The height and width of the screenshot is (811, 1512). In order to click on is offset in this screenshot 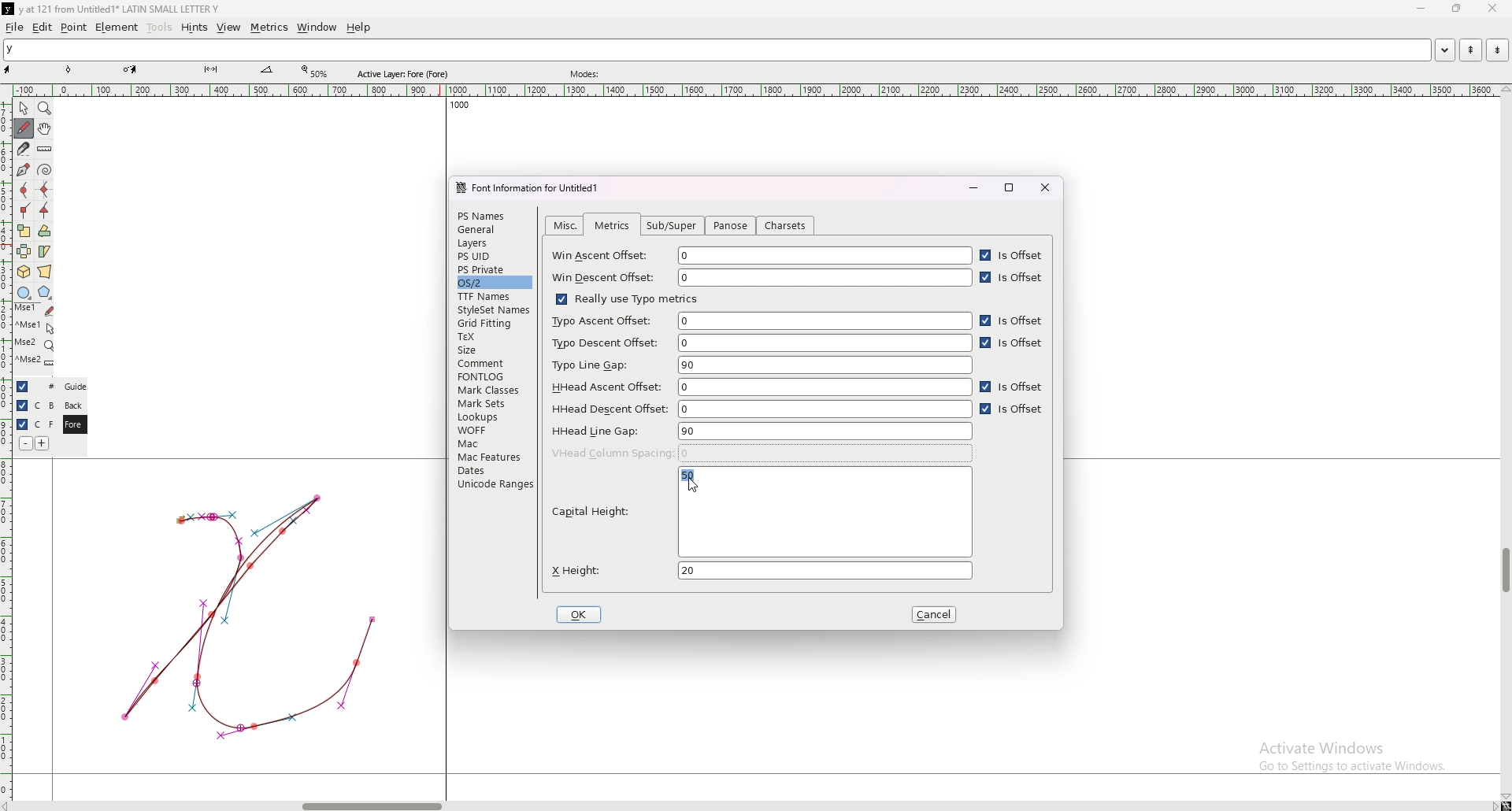, I will do `click(1013, 411)`.